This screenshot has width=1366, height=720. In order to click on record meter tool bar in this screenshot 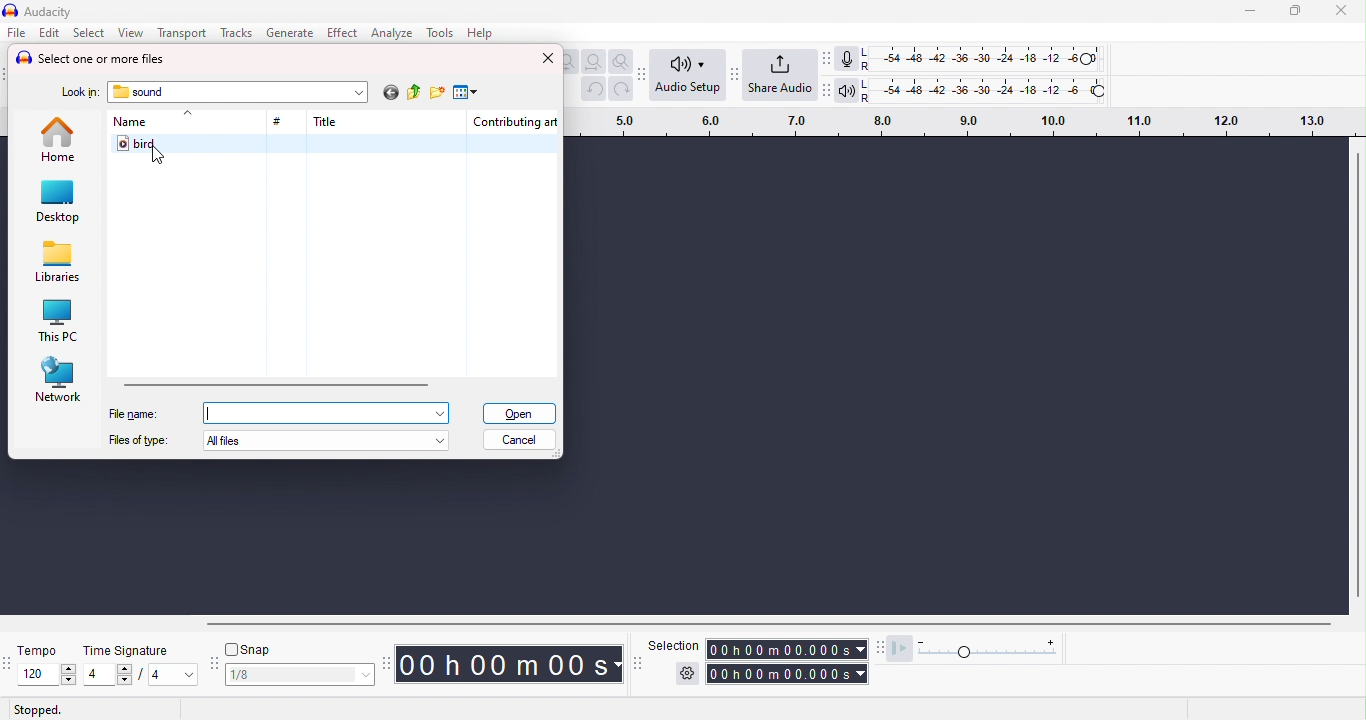, I will do `click(830, 59)`.